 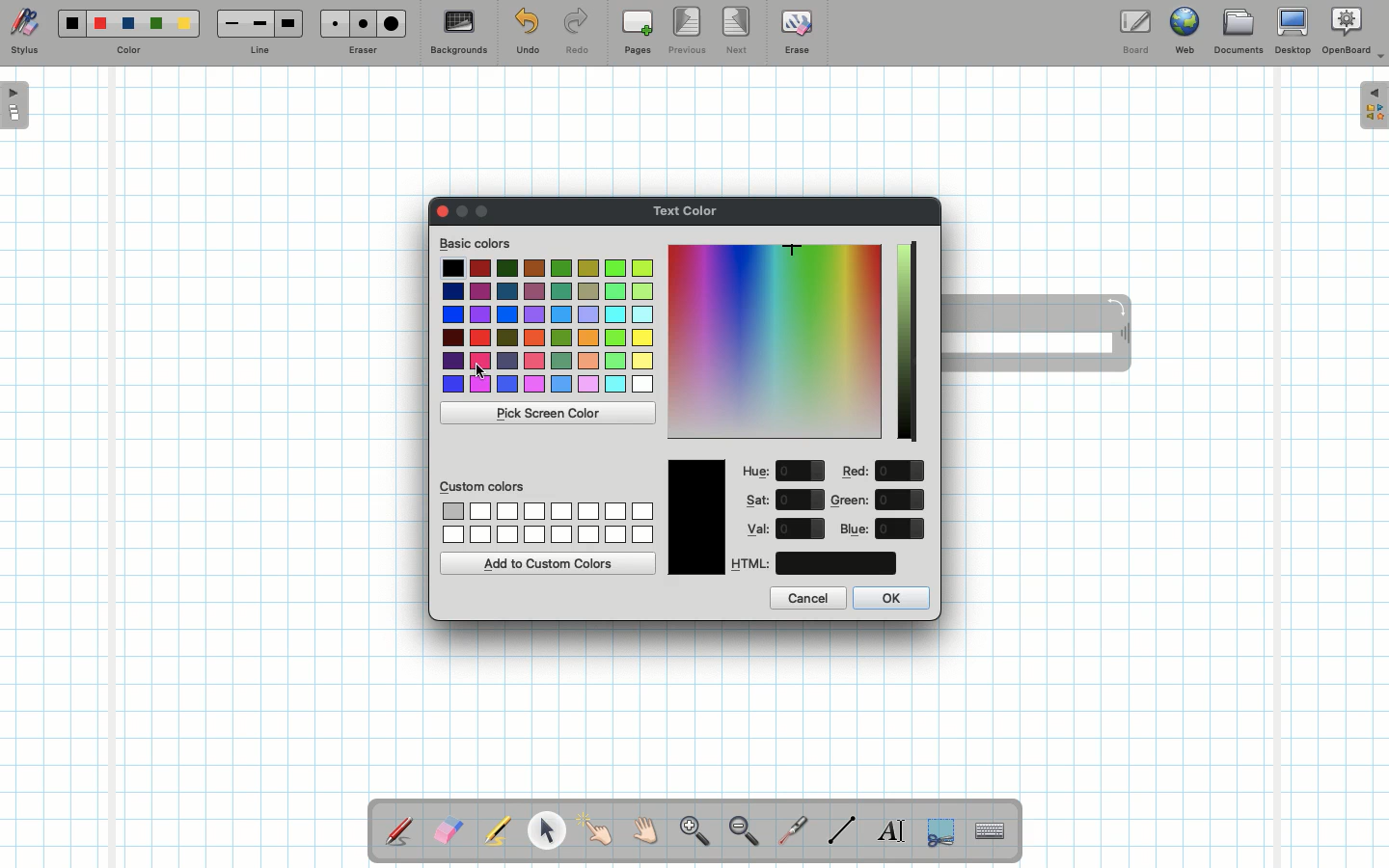 What do you see at coordinates (851, 501) in the screenshot?
I see `Green` at bounding box center [851, 501].